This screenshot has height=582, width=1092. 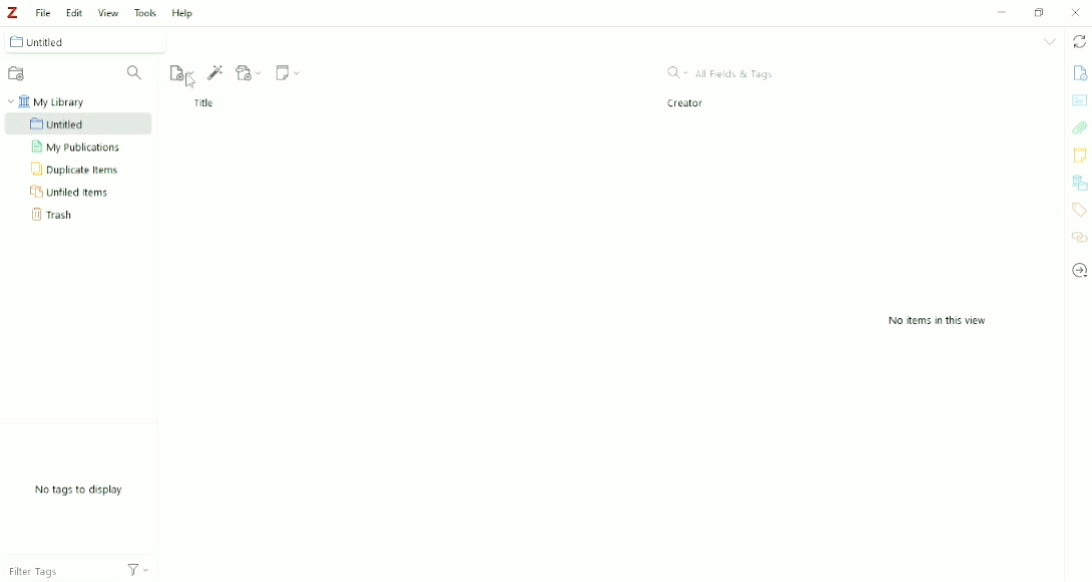 I want to click on New Collection, so click(x=18, y=74).